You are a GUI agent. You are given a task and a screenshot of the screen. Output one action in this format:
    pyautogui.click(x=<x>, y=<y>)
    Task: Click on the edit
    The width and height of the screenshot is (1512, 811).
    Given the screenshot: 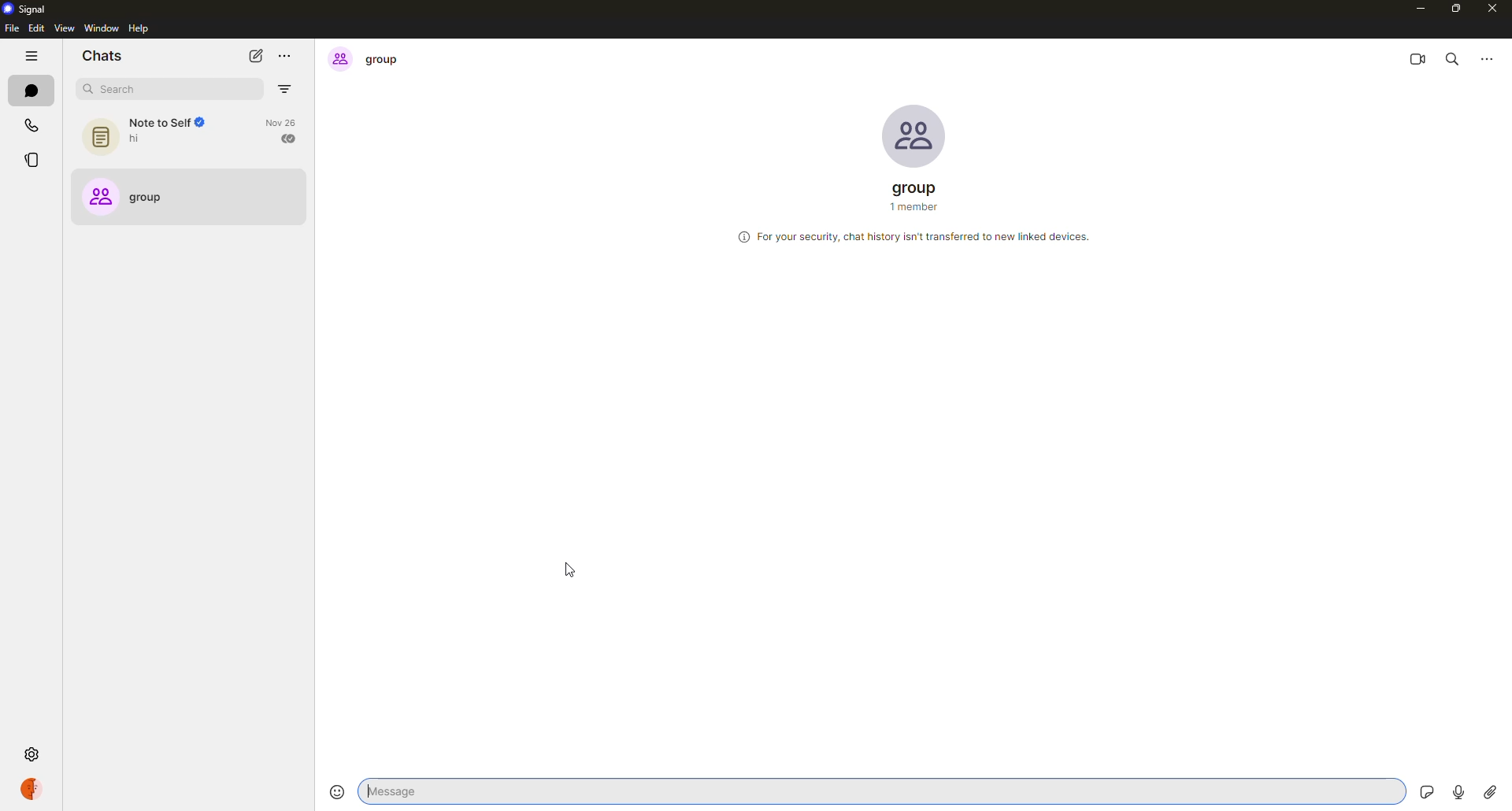 What is the action you would take?
    pyautogui.click(x=35, y=28)
    